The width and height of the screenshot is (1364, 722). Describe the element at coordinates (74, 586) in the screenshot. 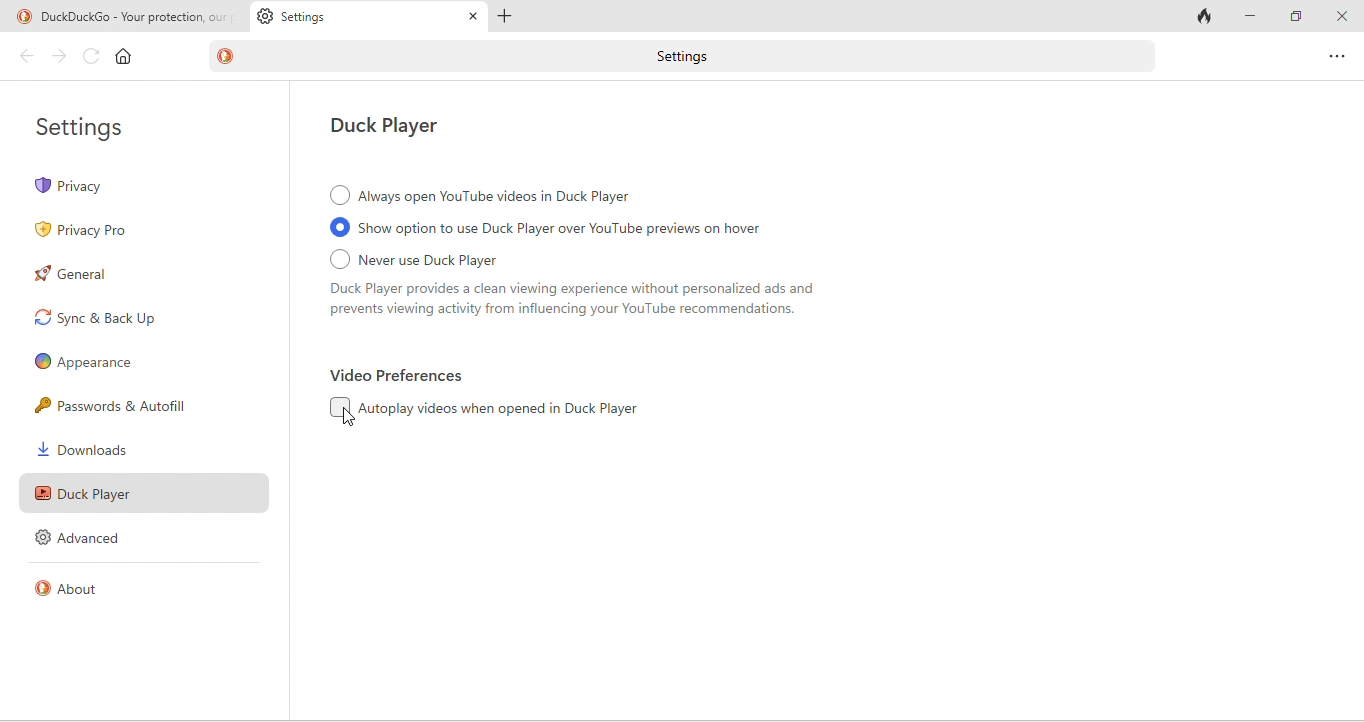

I see `about` at that location.